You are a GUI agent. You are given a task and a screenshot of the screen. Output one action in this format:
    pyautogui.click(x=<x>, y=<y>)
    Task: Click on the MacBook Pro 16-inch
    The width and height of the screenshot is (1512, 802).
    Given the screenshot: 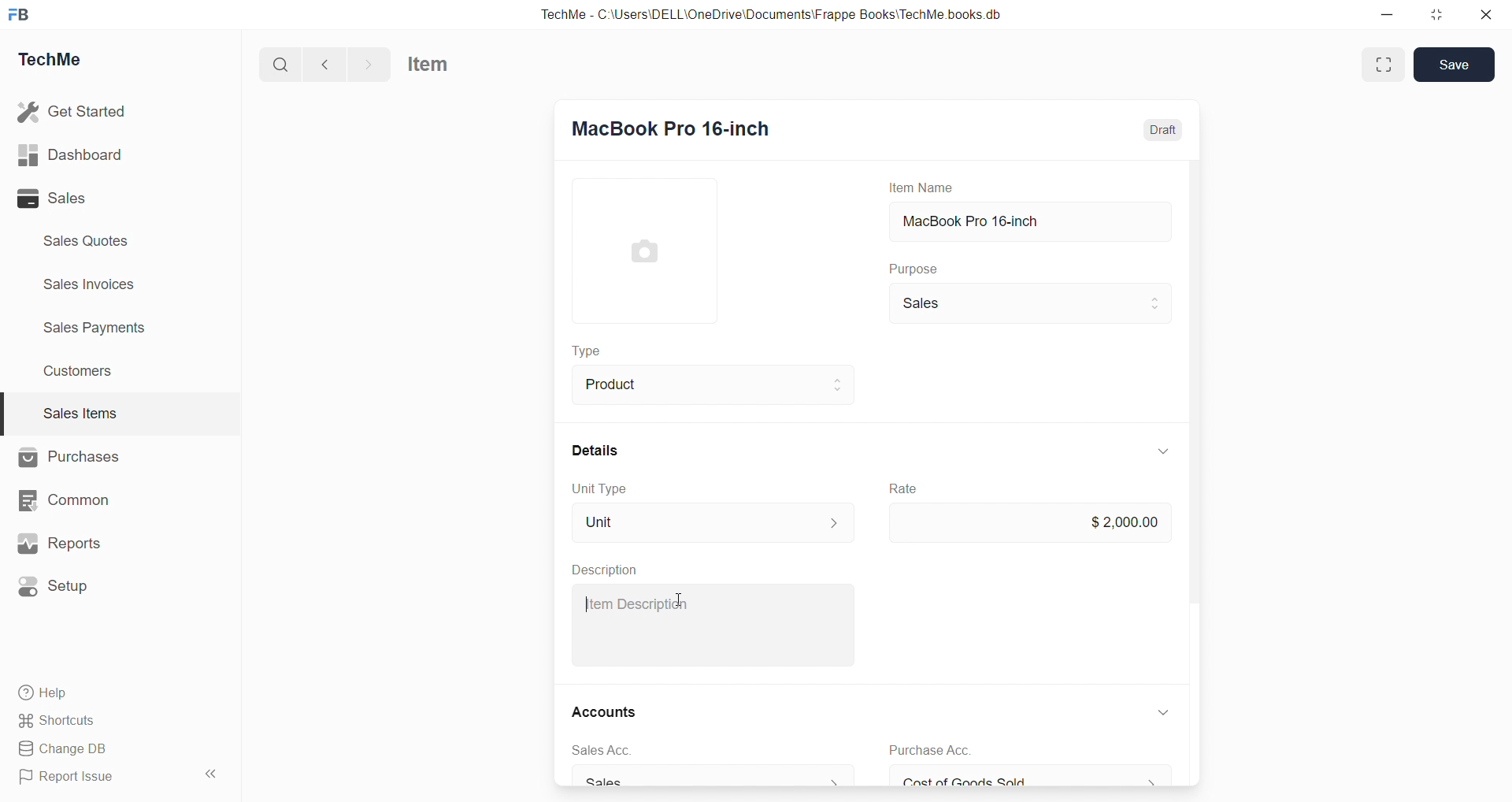 What is the action you would take?
    pyautogui.click(x=671, y=125)
    